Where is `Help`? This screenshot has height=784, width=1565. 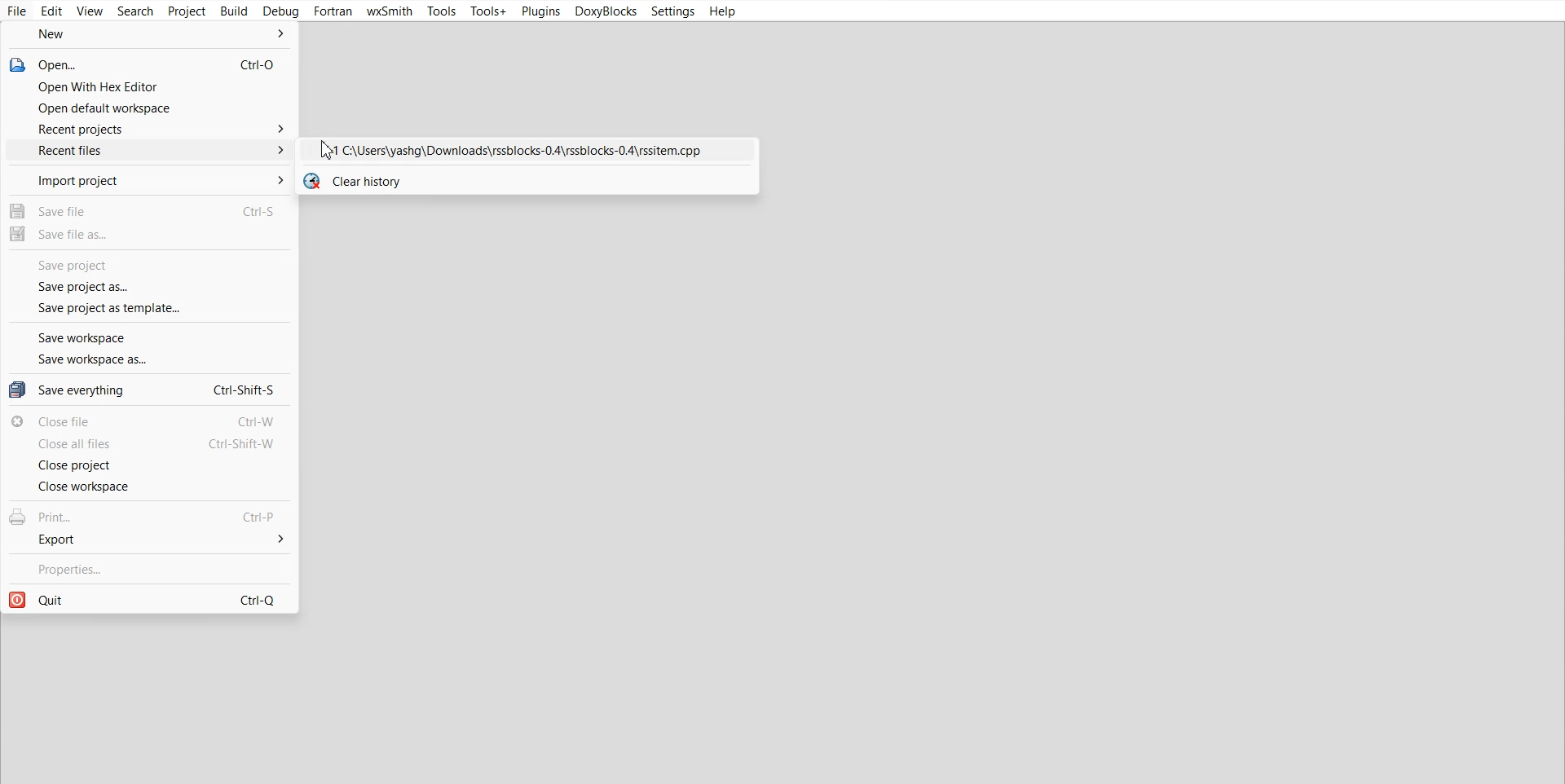 Help is located at coordinates (721, 11).